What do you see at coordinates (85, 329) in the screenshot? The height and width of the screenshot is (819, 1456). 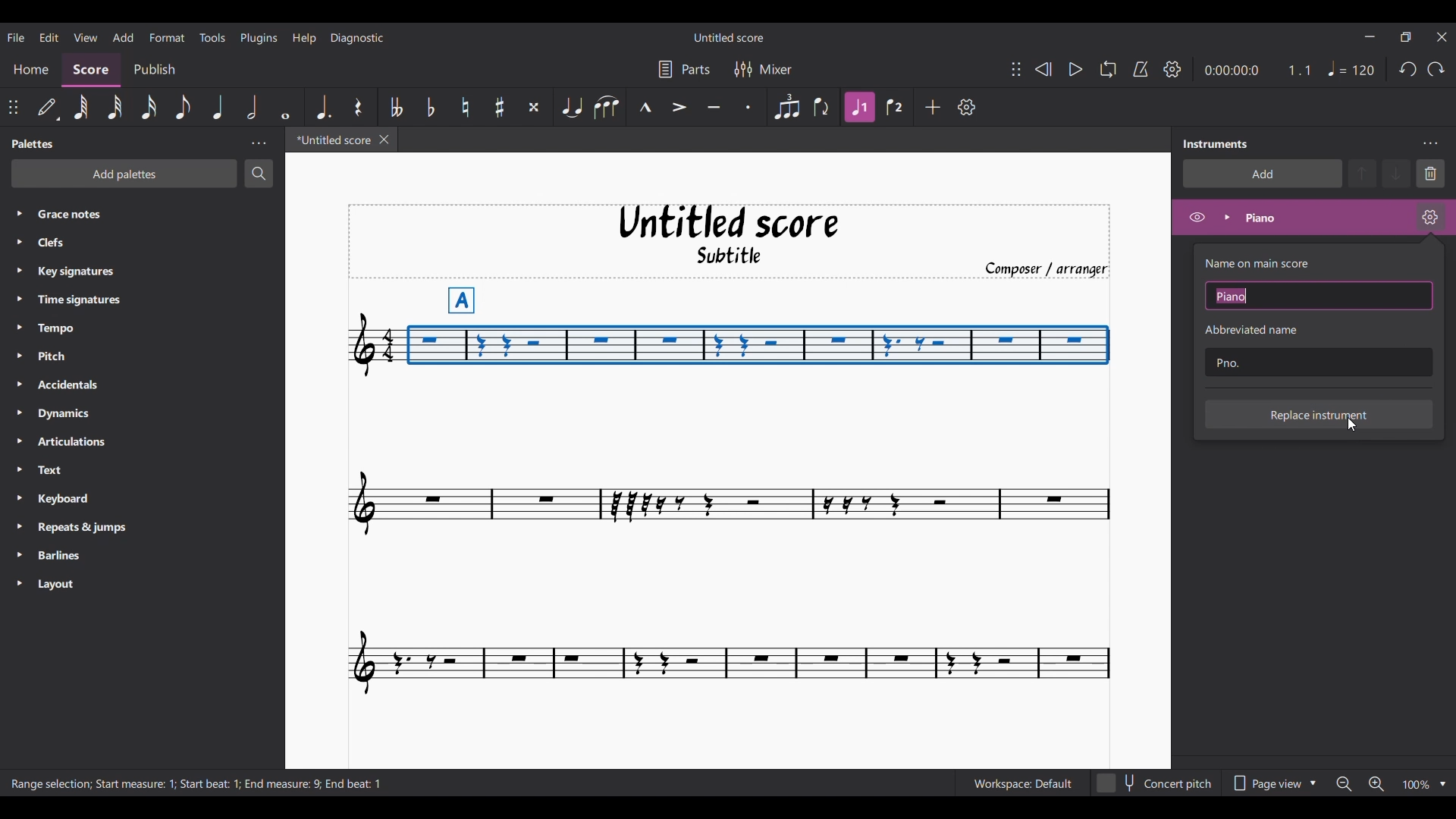 I see `Tempo` at bounding box center [85, 329].